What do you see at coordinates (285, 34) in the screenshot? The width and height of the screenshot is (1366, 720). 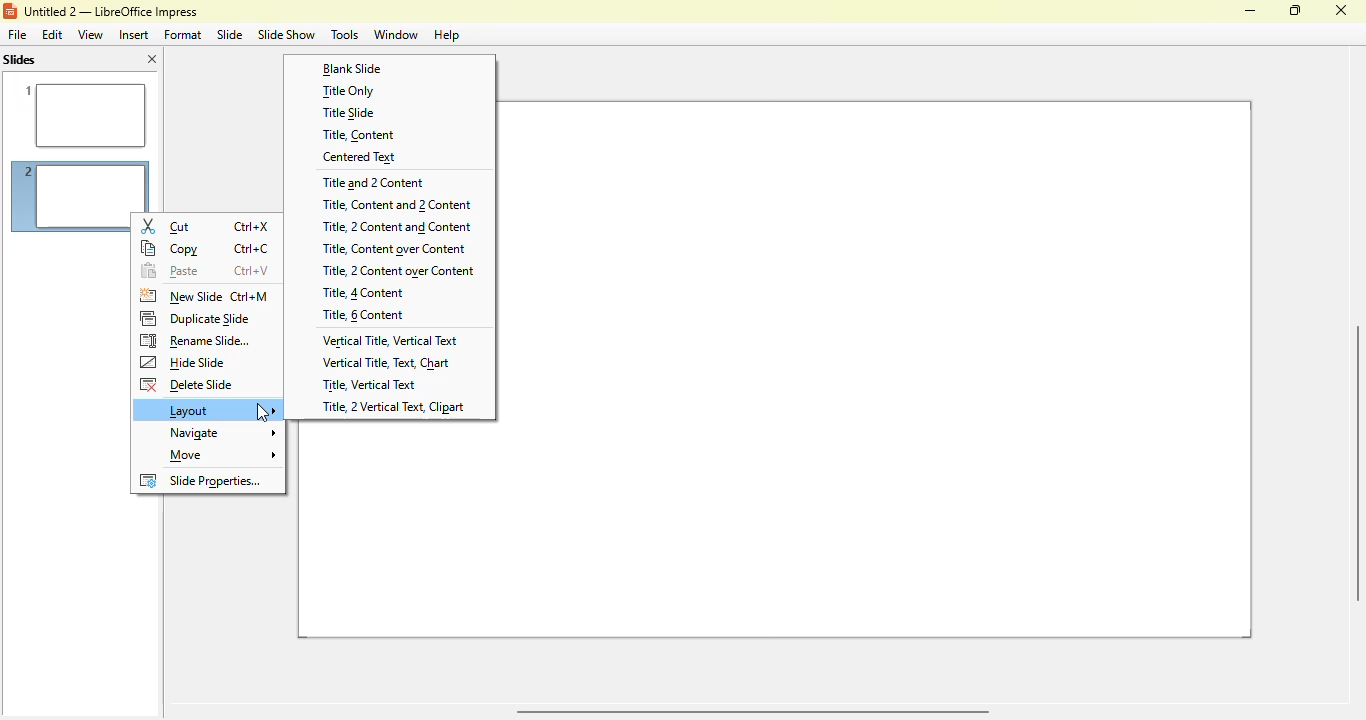 I see `slide show` at bounding box center [285, 34].